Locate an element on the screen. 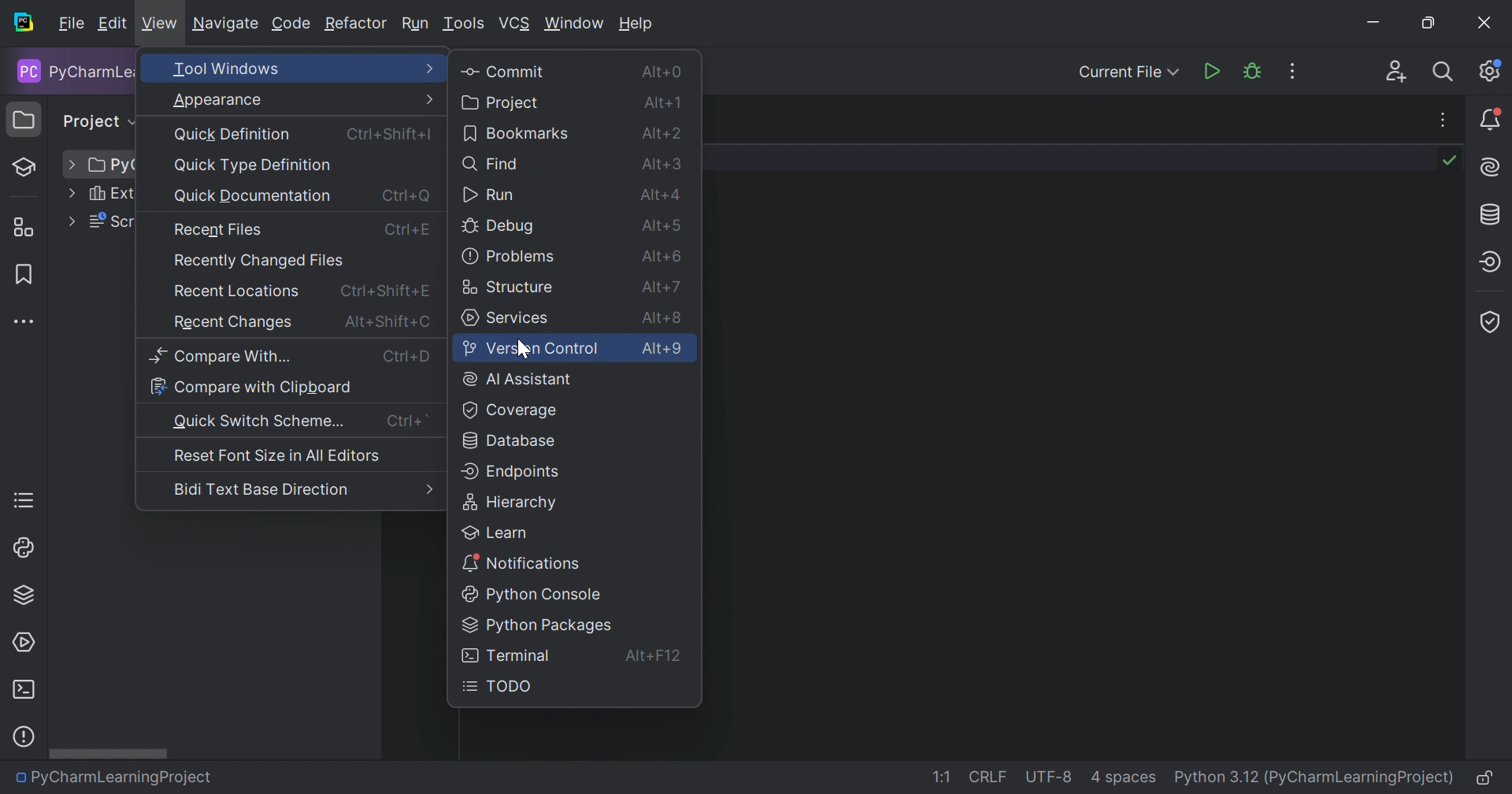 This screenshot has height=794, width=1512. Recent Files is located at coordinates (219, 230).